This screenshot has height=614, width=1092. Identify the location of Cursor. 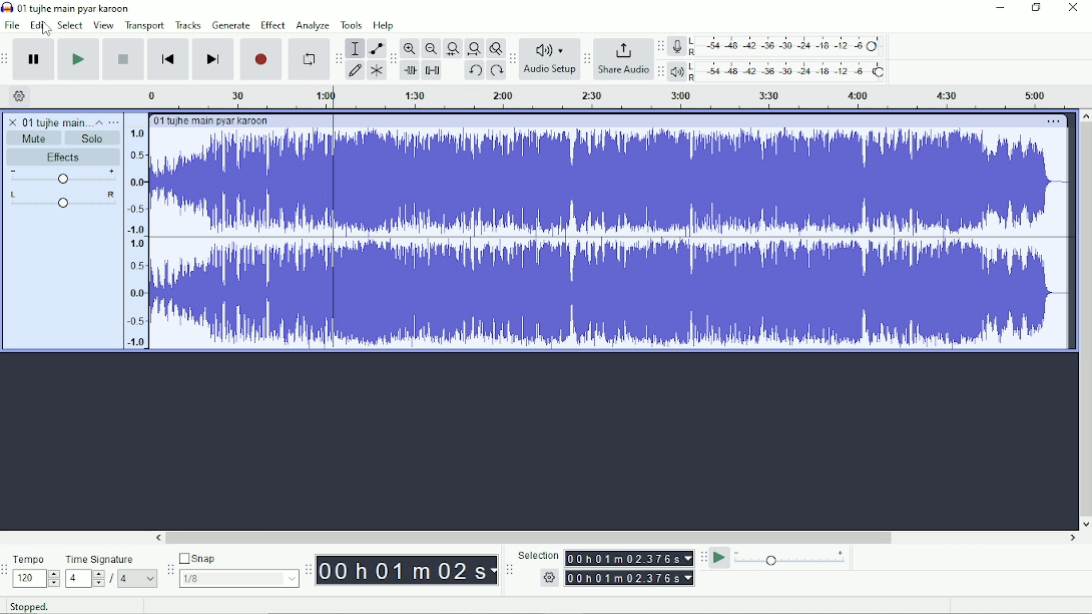
(45, 29).